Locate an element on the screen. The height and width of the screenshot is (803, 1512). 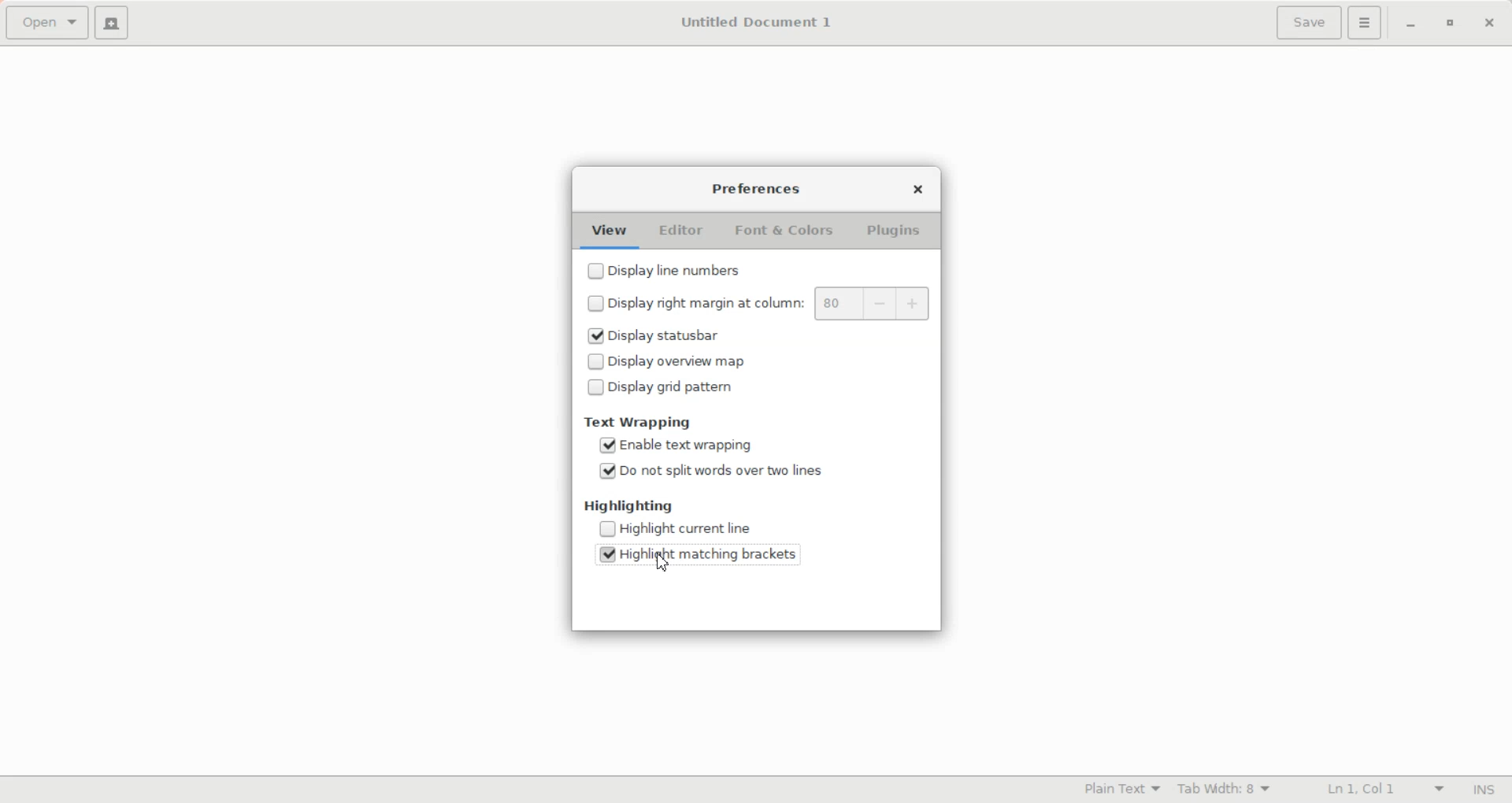
Save is located at coordinates (1307, 23).